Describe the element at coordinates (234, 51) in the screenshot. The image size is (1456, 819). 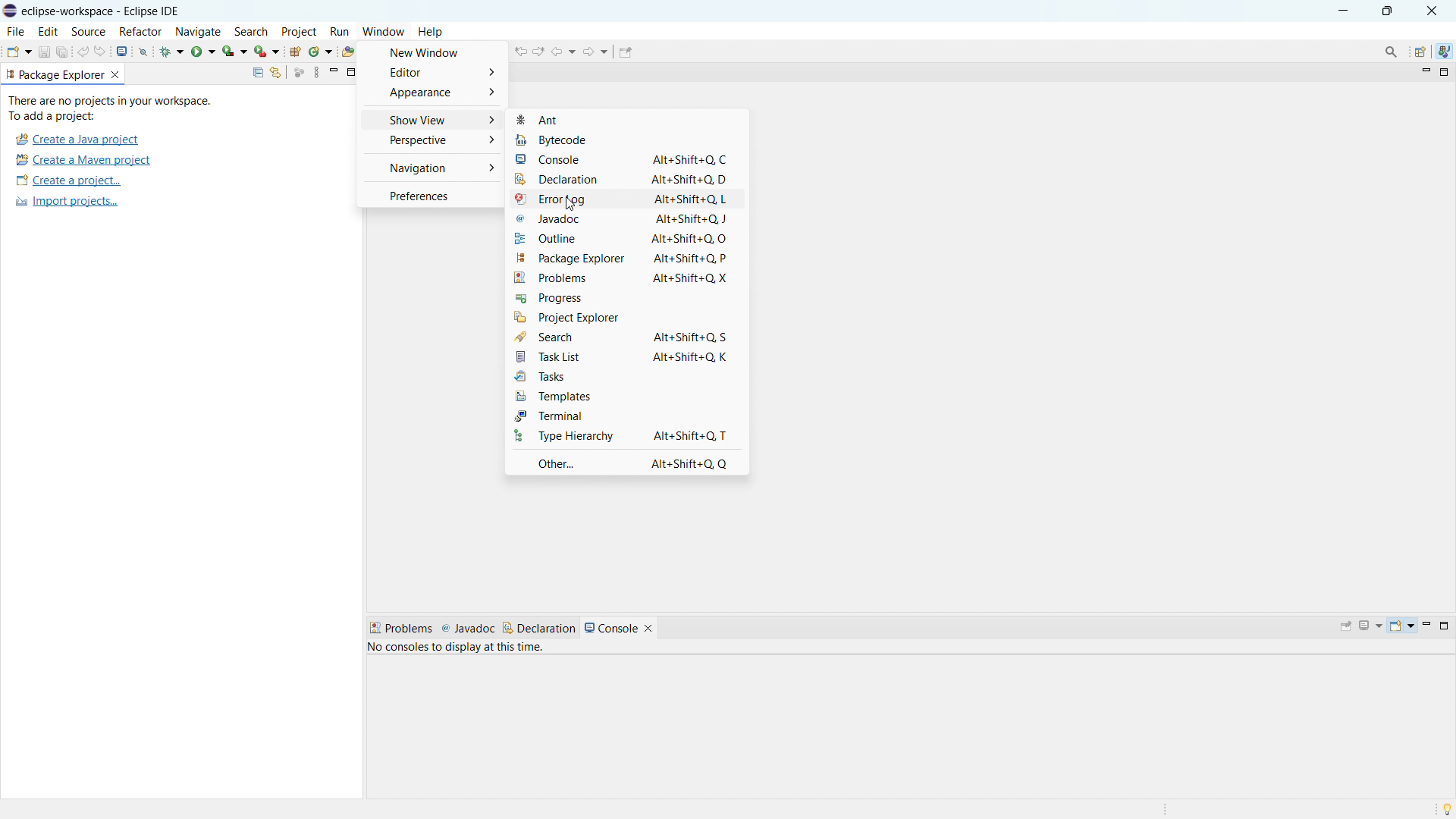
I see `coverage` at that location.